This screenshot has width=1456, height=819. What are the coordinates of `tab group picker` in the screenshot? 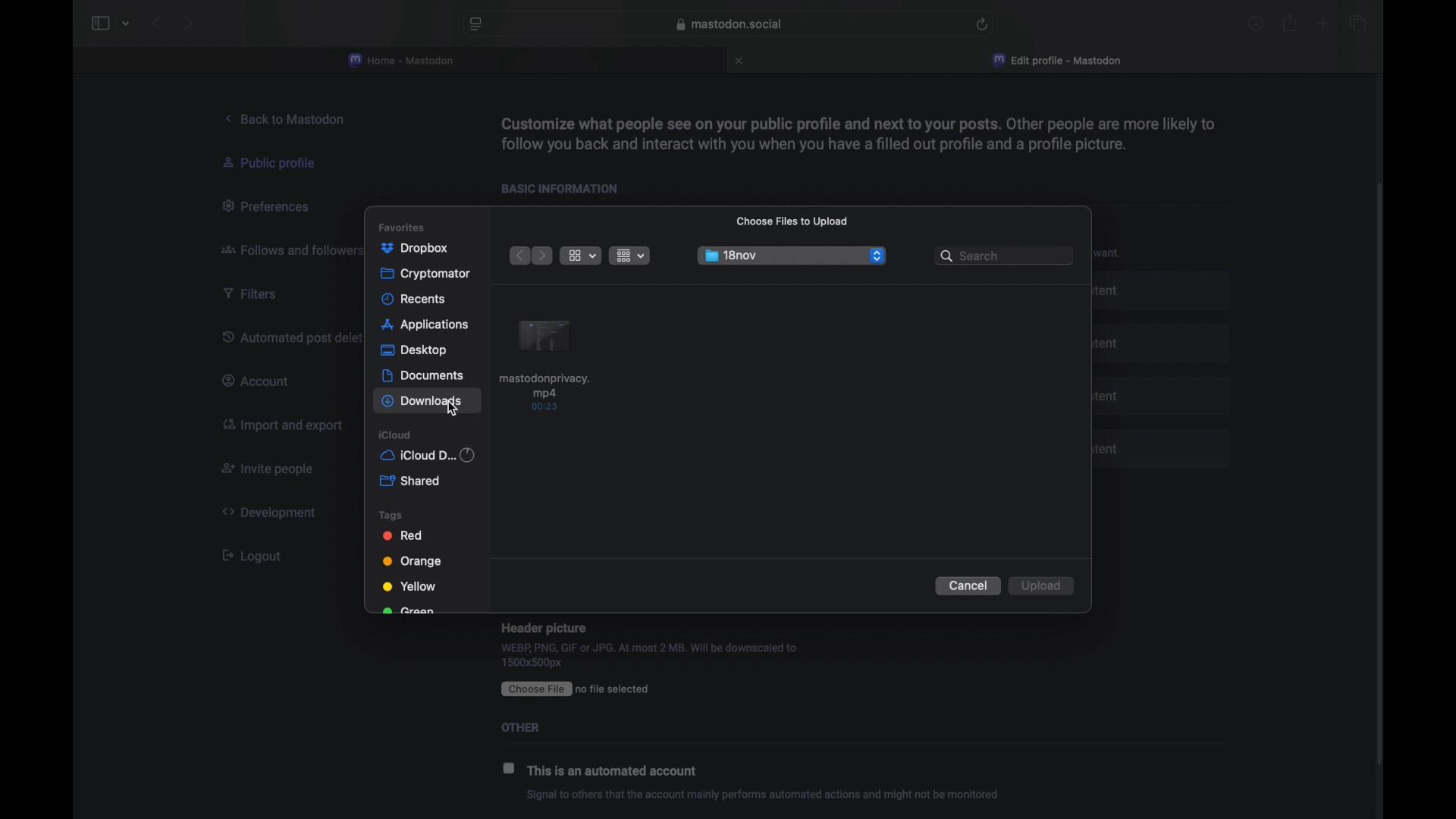 It's located at (126, 24).